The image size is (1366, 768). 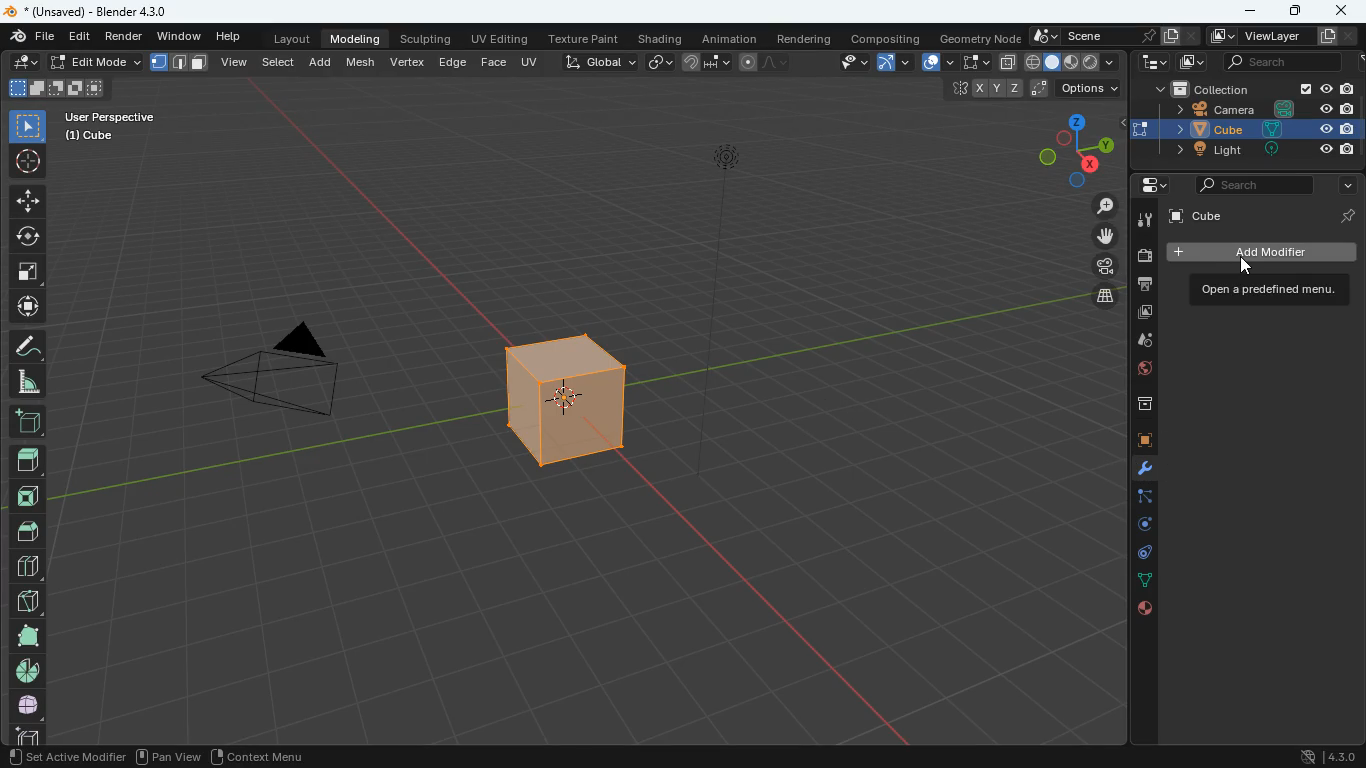 What do you see at coordinates (584, 36) in the screenshot?
I see `texture paint` at bounding box center [584, 36].